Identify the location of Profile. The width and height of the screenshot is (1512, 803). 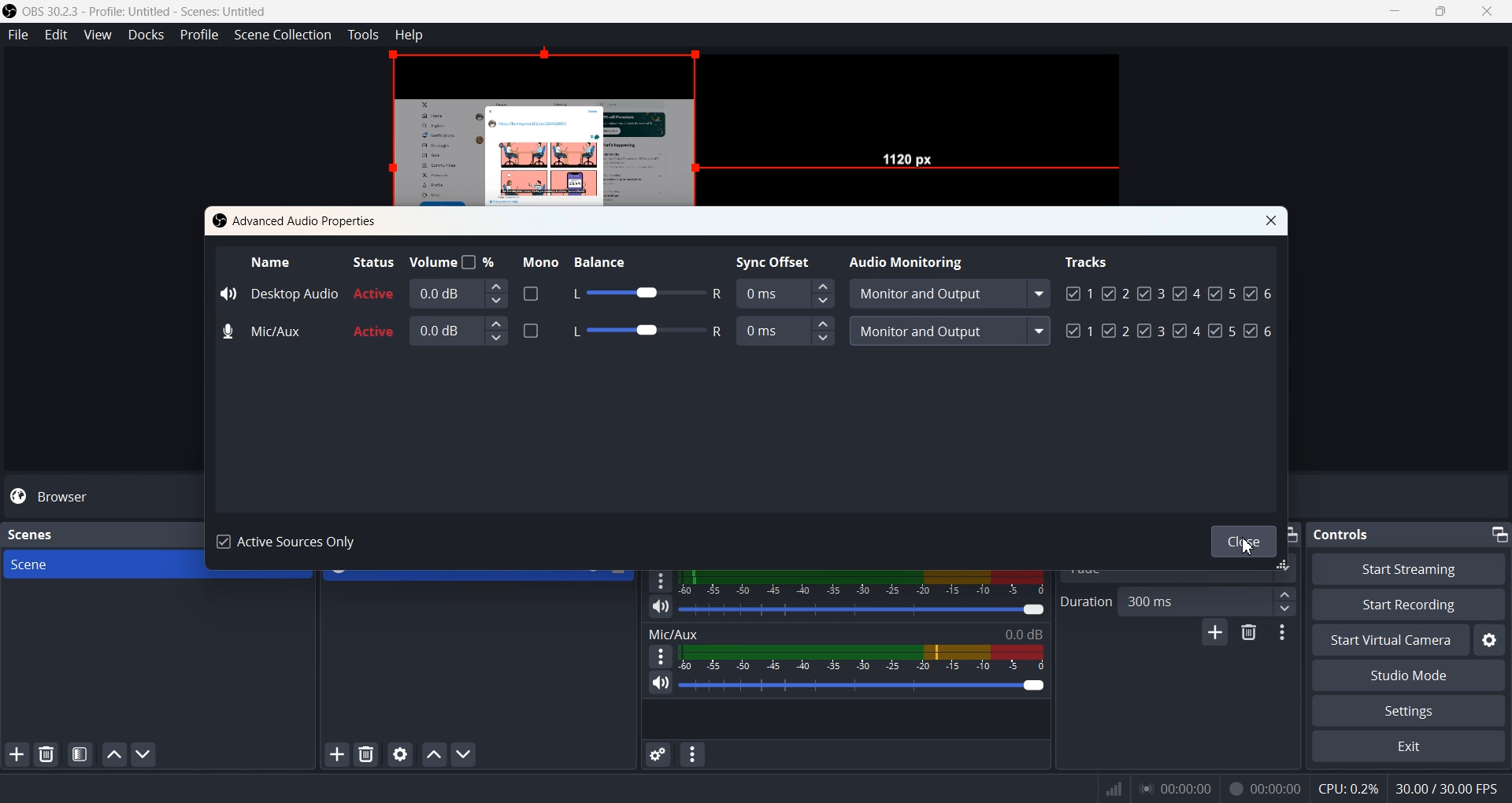
(200, 35).